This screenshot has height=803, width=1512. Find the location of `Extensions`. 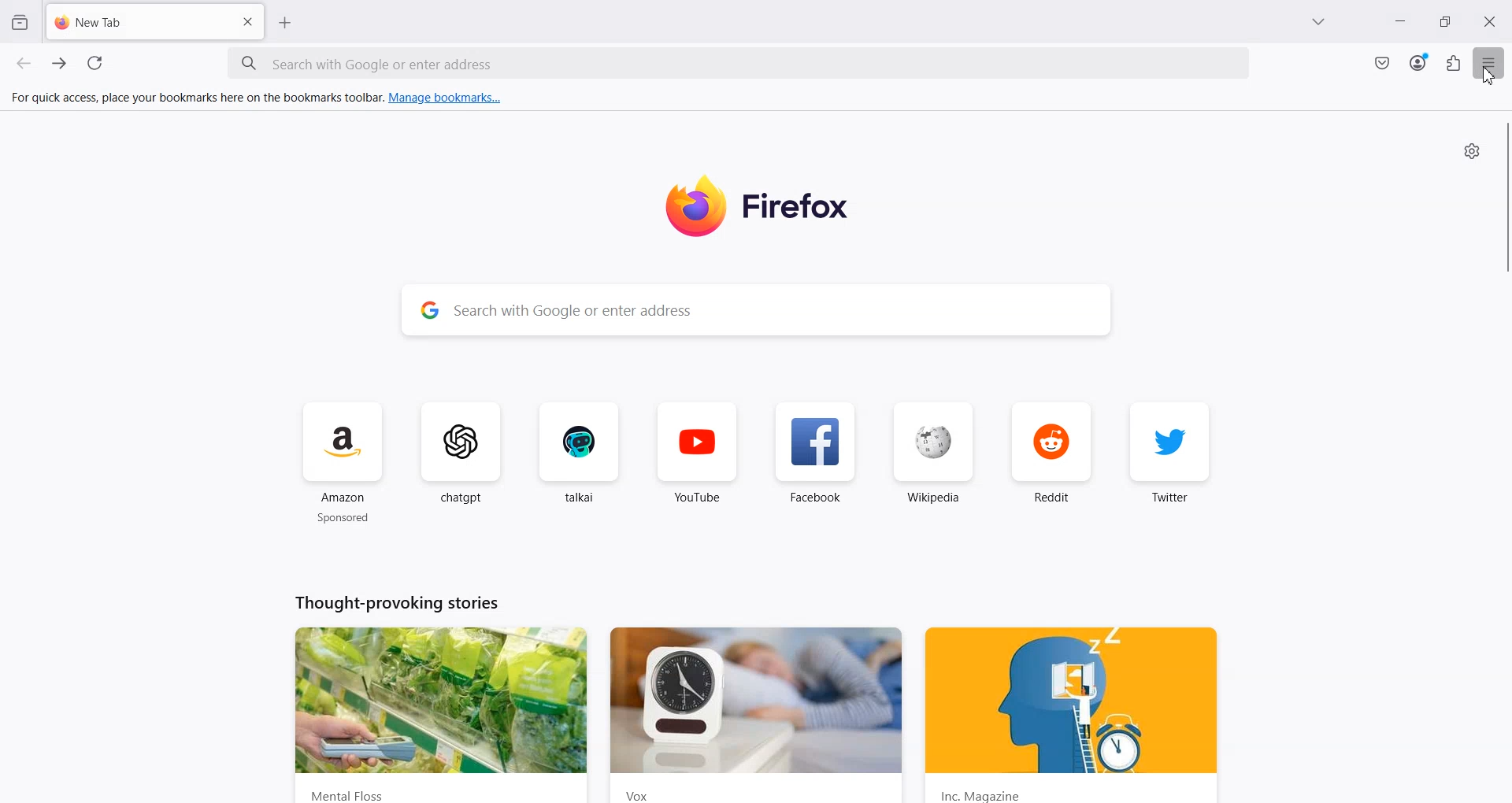

Extensions is located at coordinates (1455, 63).